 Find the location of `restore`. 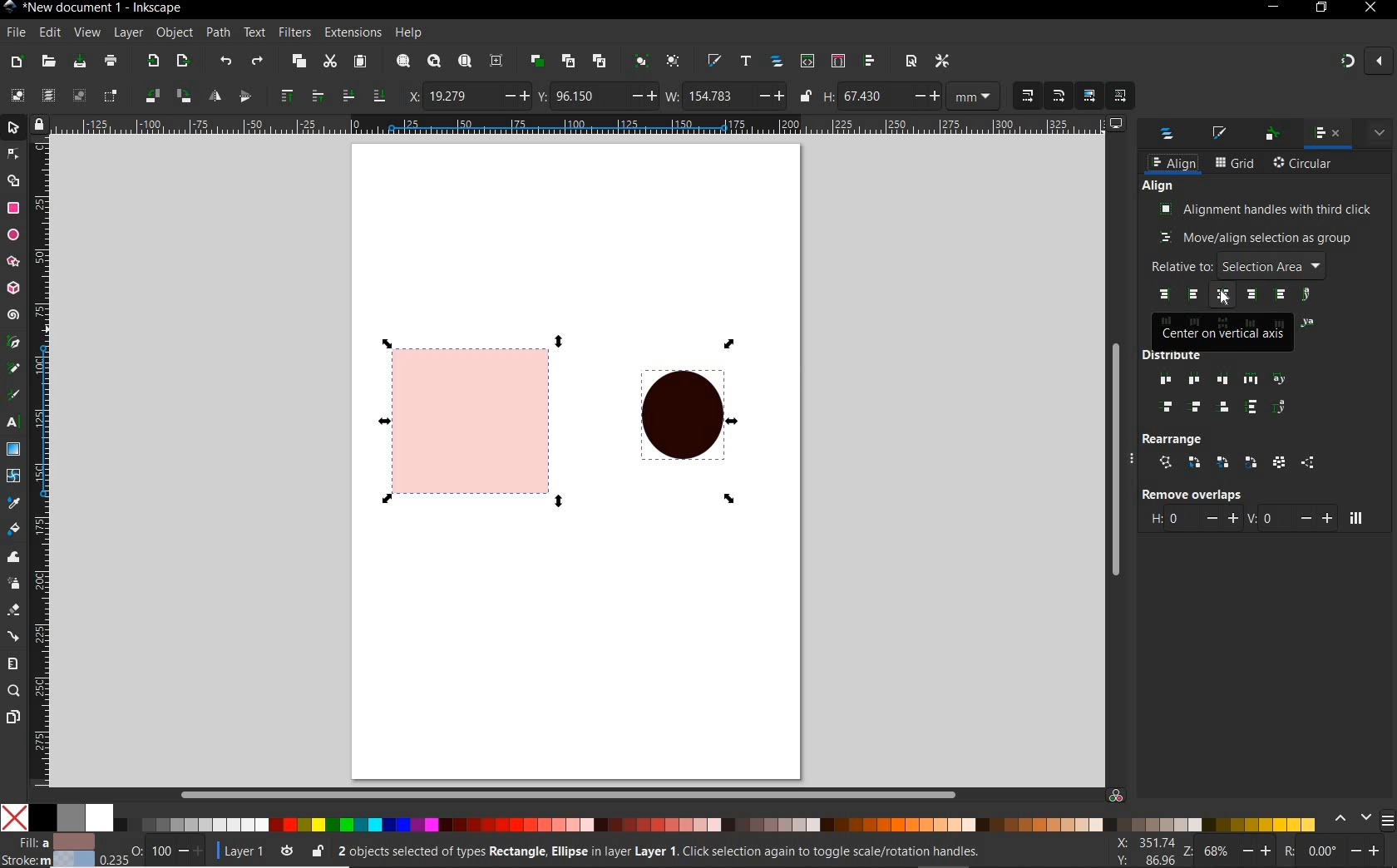

restore is located at coordinates (1322, 7).